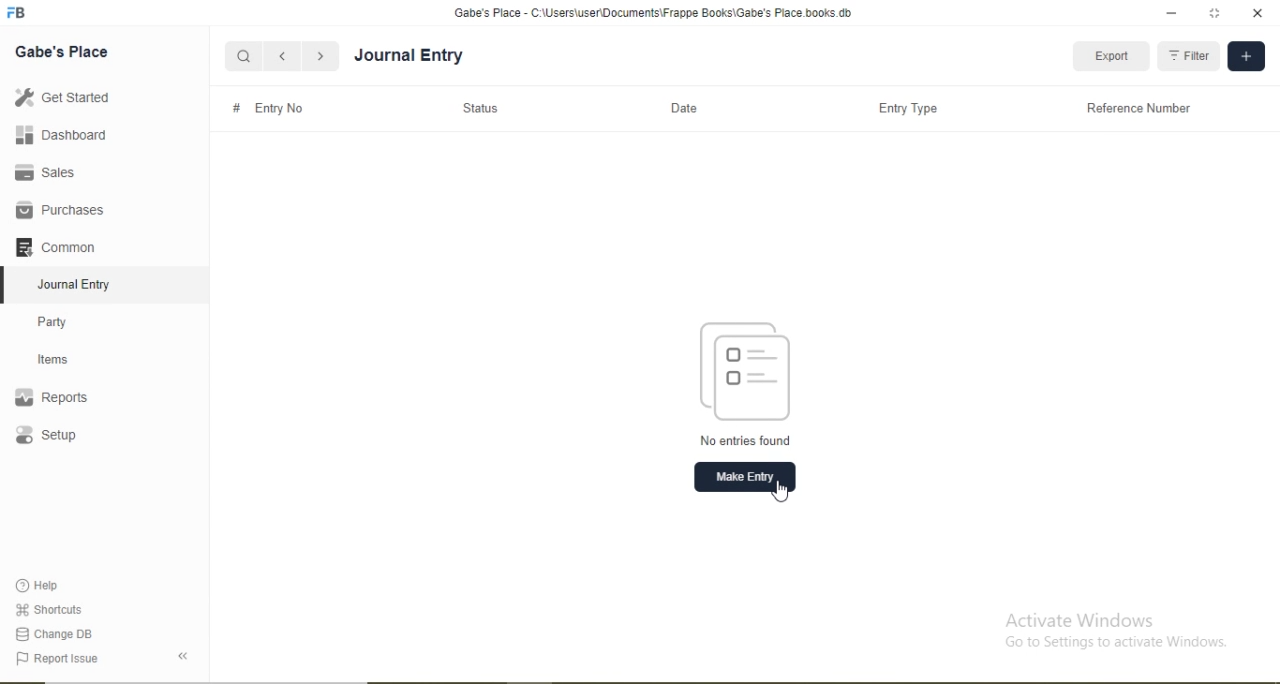 This screenshot has height=684, width=1280. Describe the element at coordinates (18, 13) in the screenshot. I see `logo` at that location.